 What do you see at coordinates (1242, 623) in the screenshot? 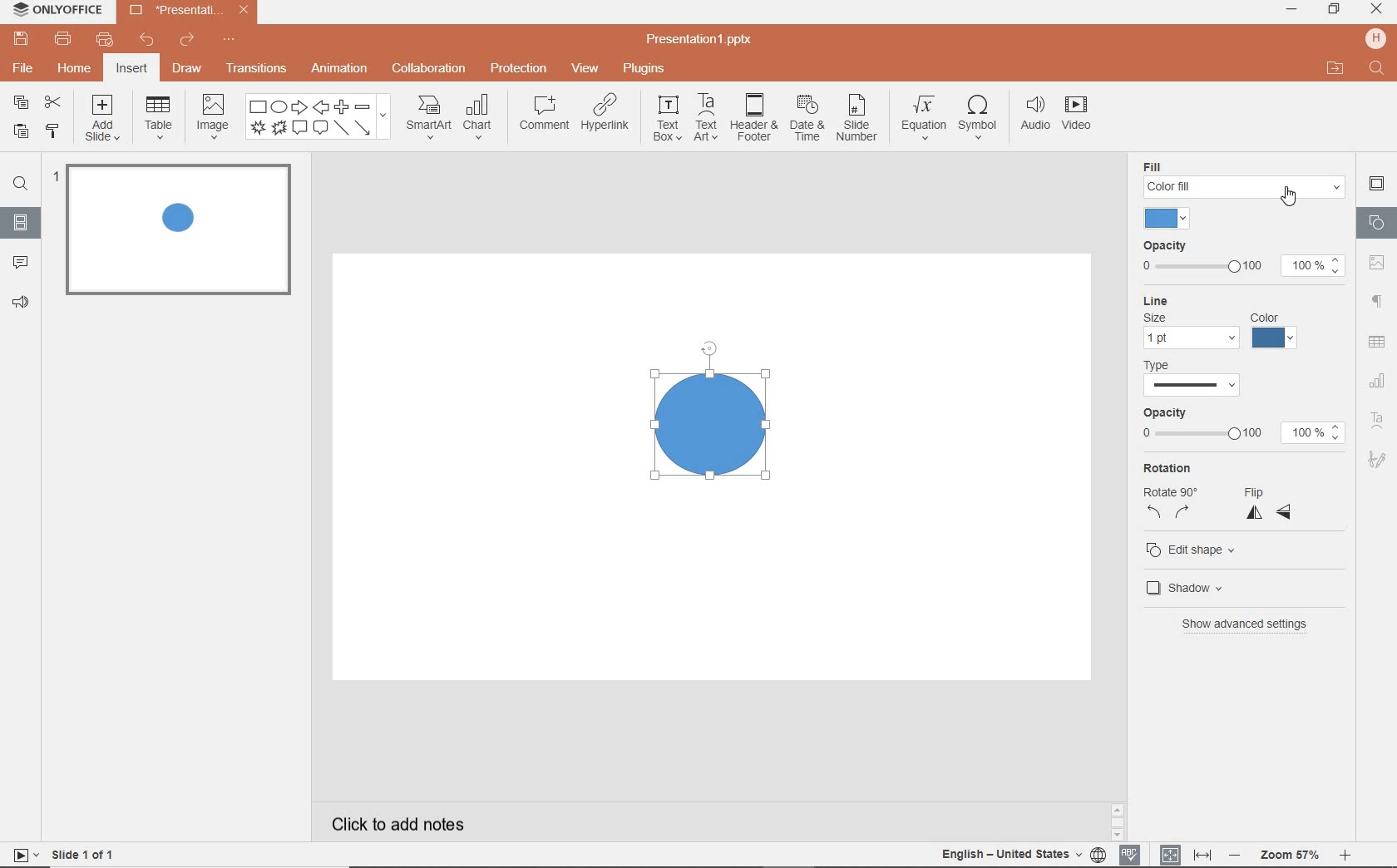
I see `show advanced settings` at bounding box center [1242, 623].